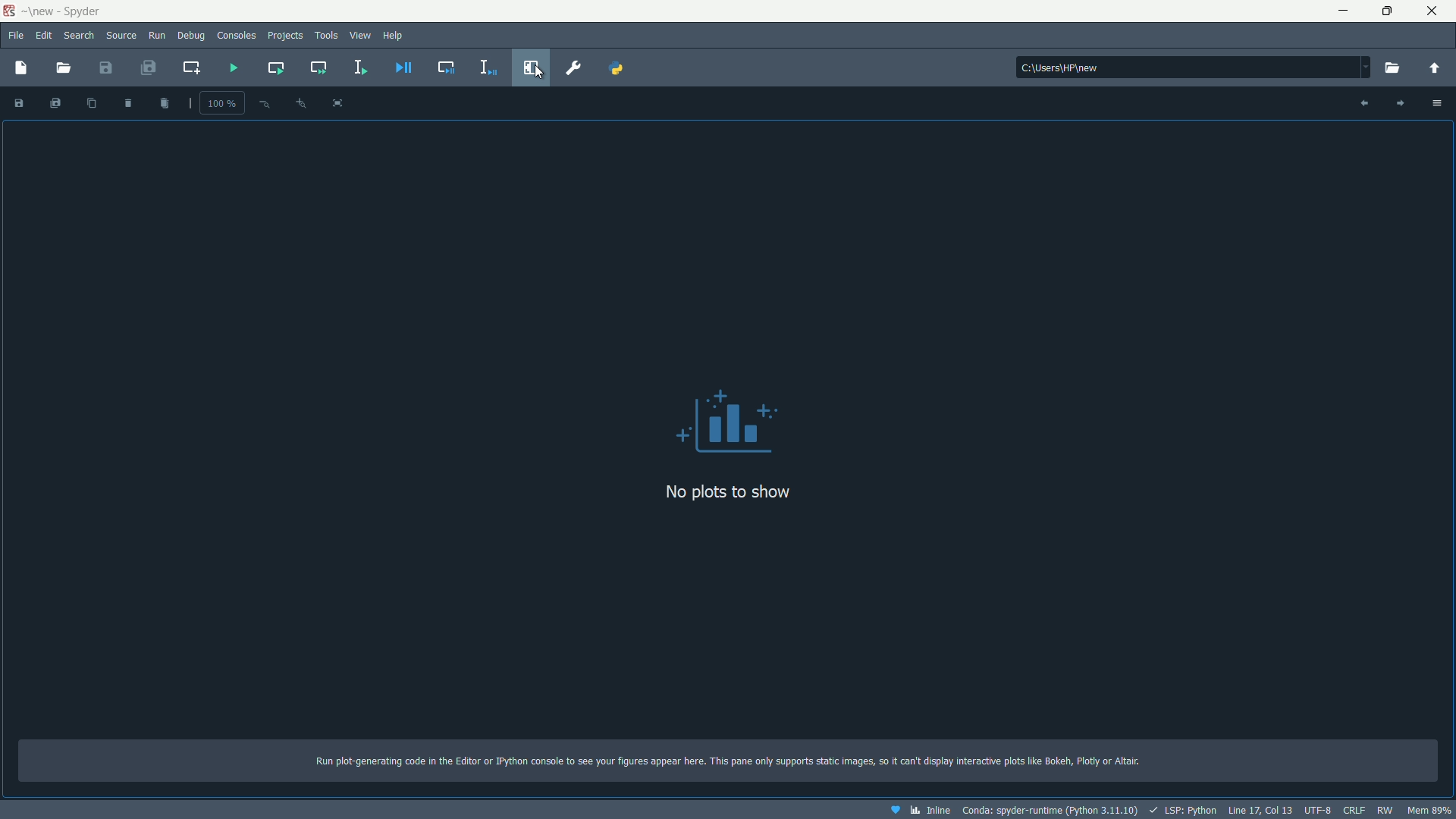 The height and width of the screenshot is (819, 1456). I want to click on debug cell, so click(445, 67).